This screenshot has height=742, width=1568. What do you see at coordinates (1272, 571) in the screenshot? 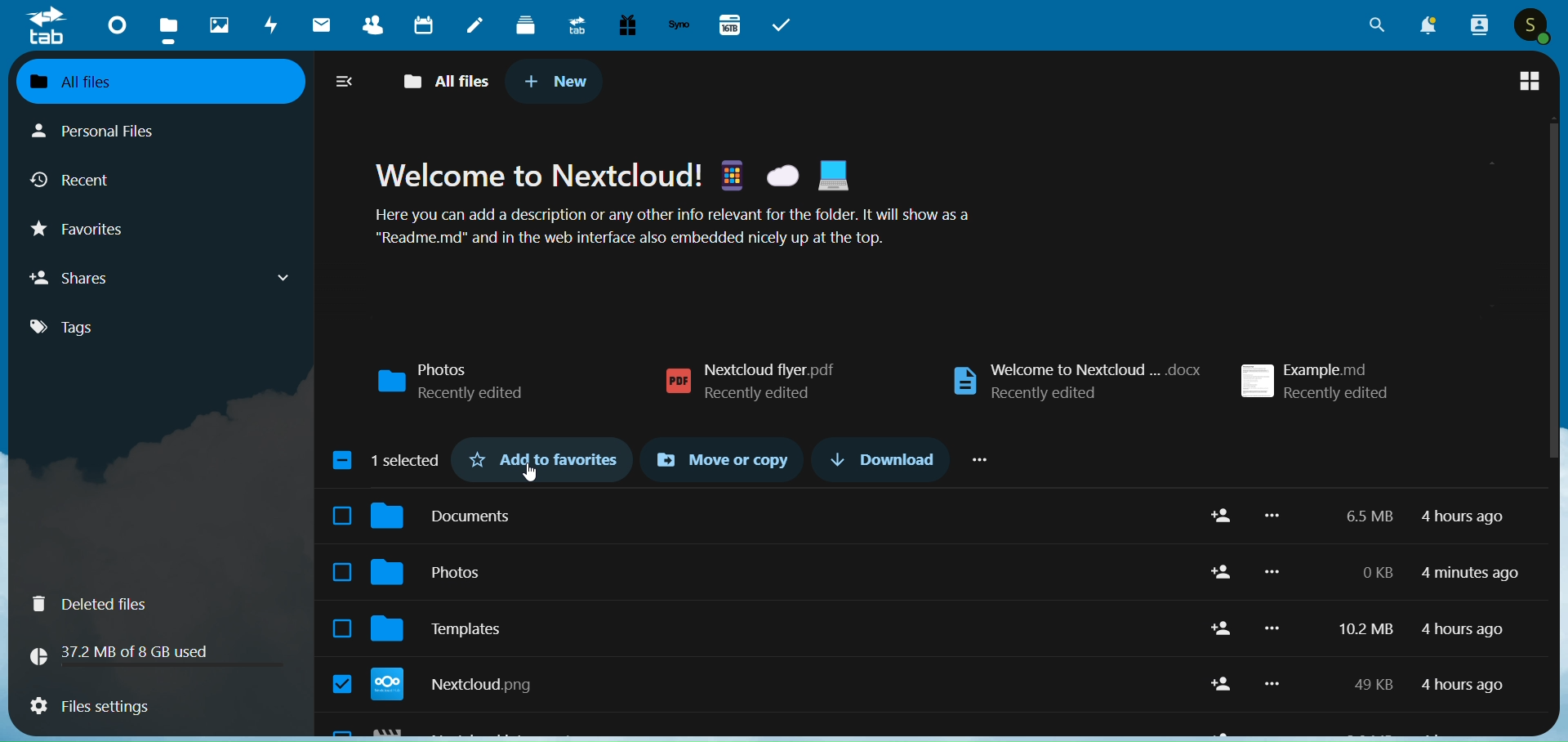
I see `More` at bounding box center [1272, 571].